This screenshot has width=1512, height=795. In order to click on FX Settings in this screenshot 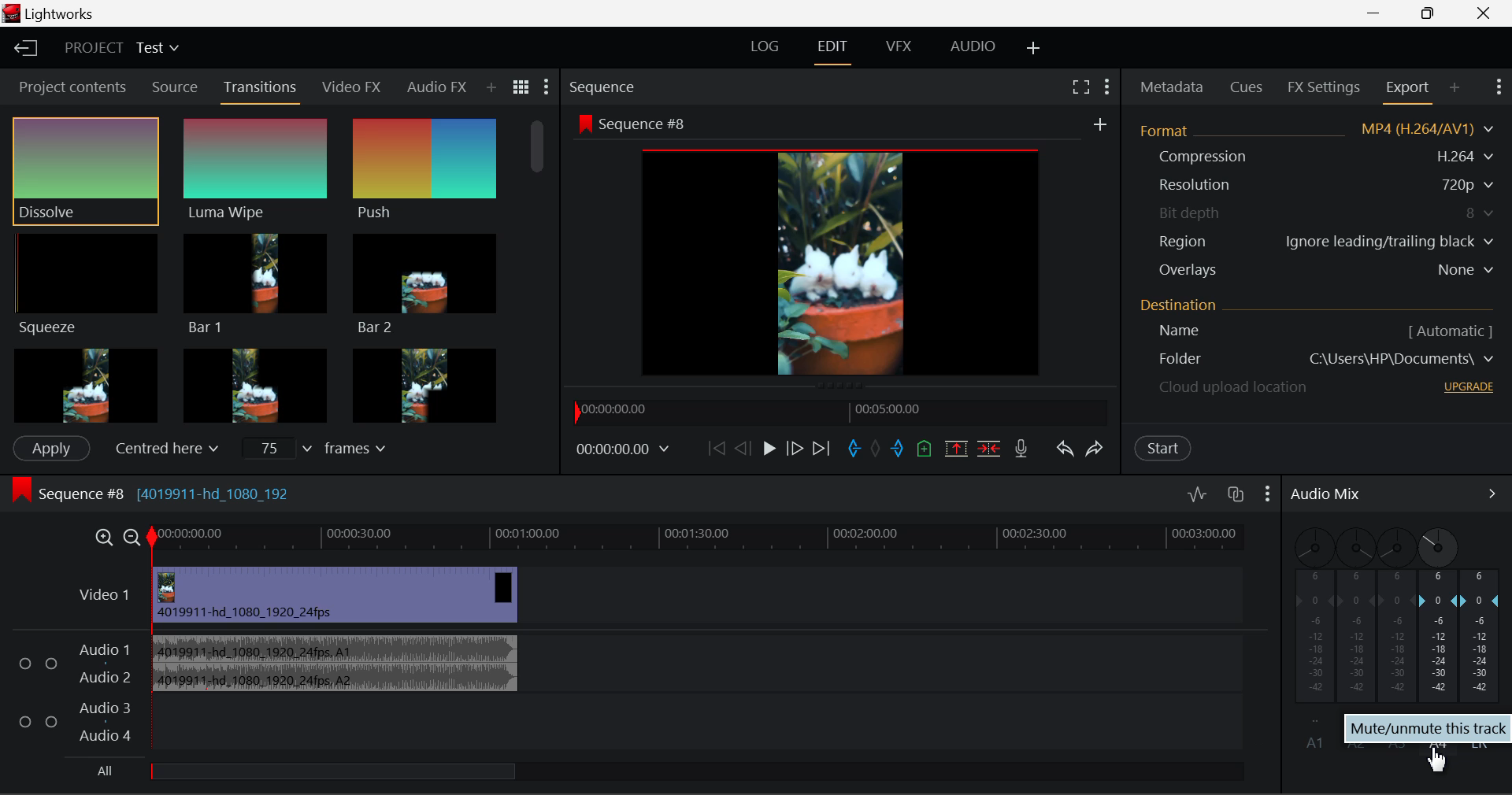, I will do `click(1322, 87)`.